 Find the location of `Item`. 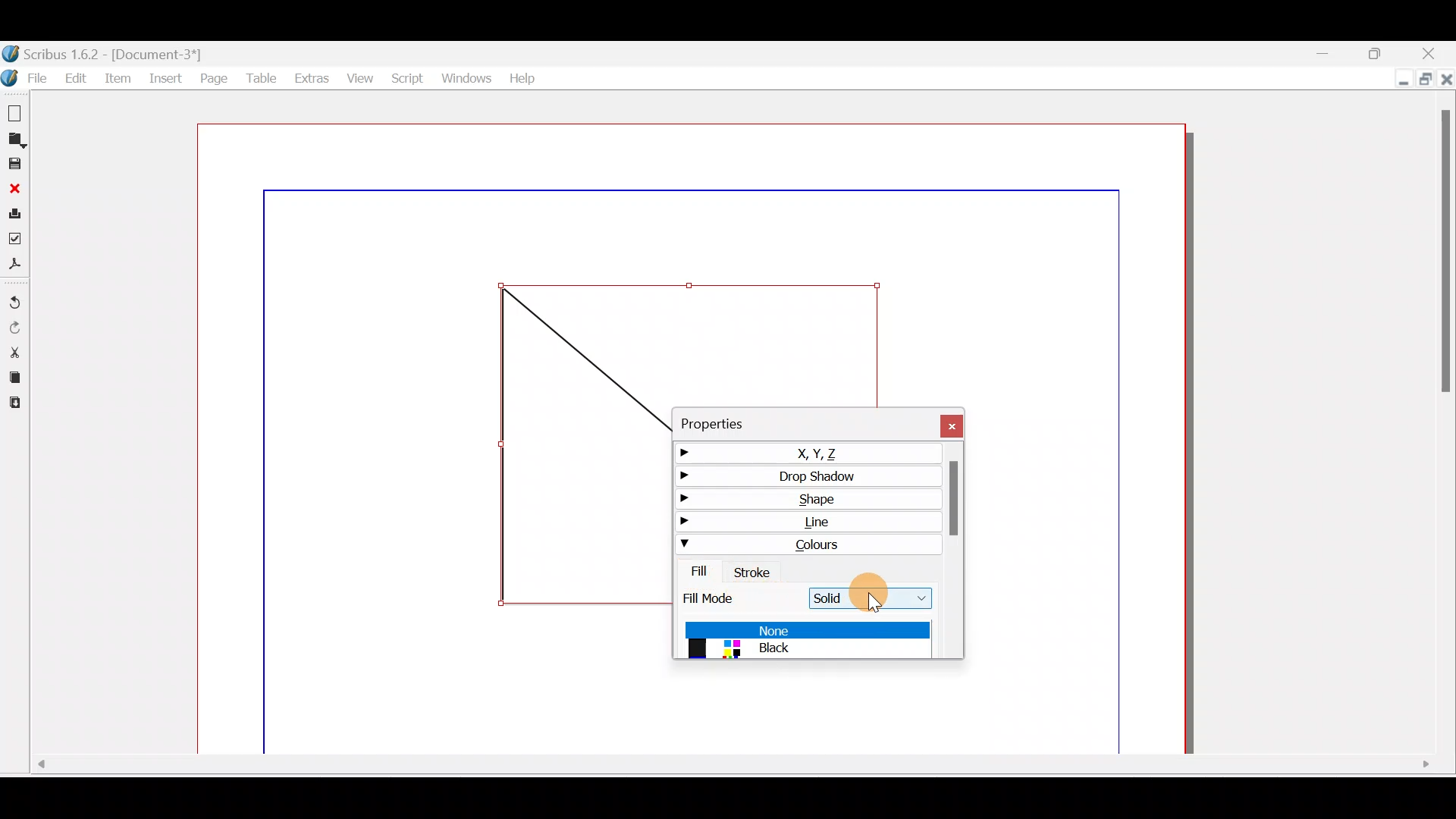

Item is located at coordinates (118, 81).